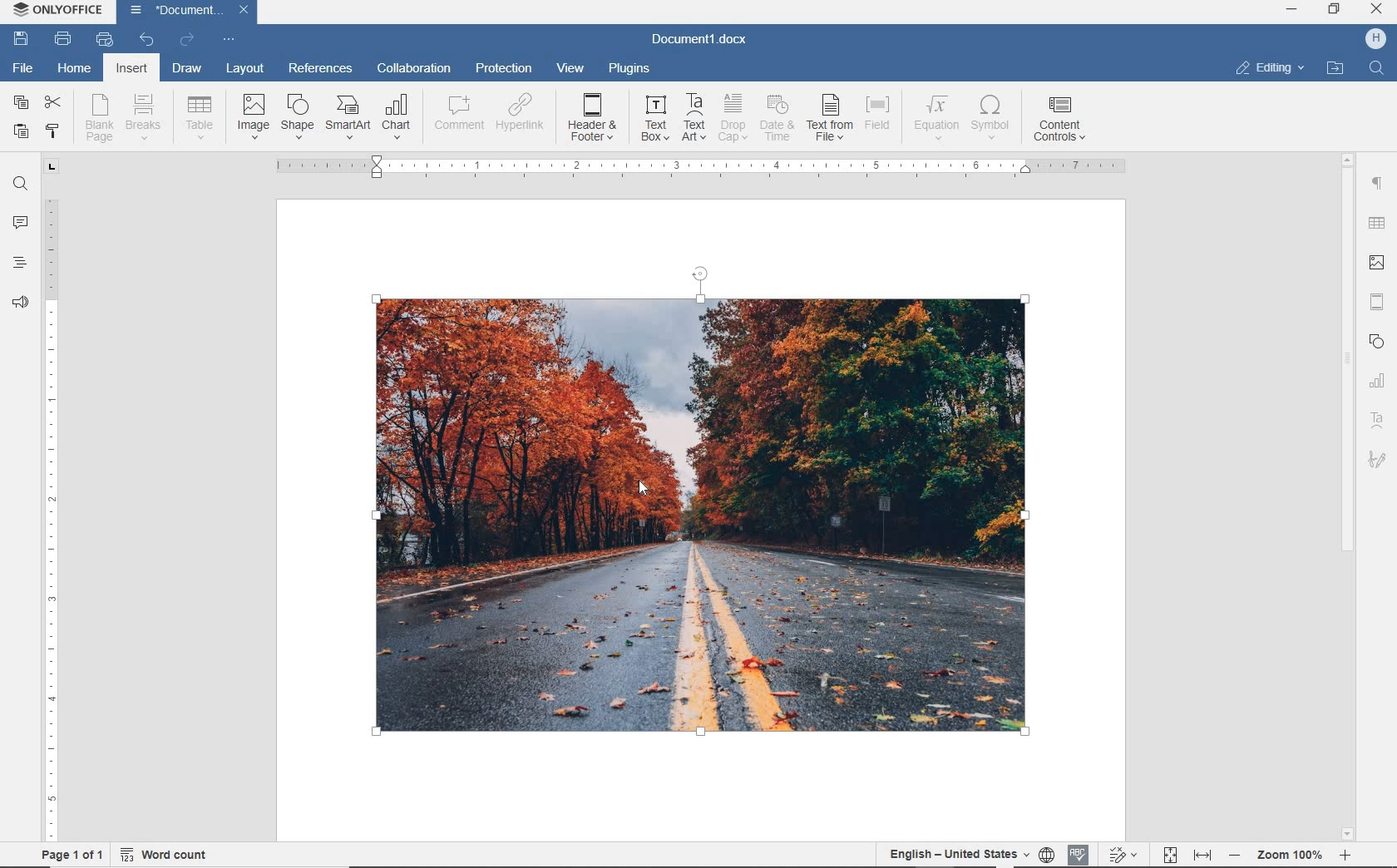 This screenshot has height=868, width=1397. What do you see at coordinates (229, 39) in the screenshot?
I see `customize quick access toolbar` at bounding box center [229, 39].